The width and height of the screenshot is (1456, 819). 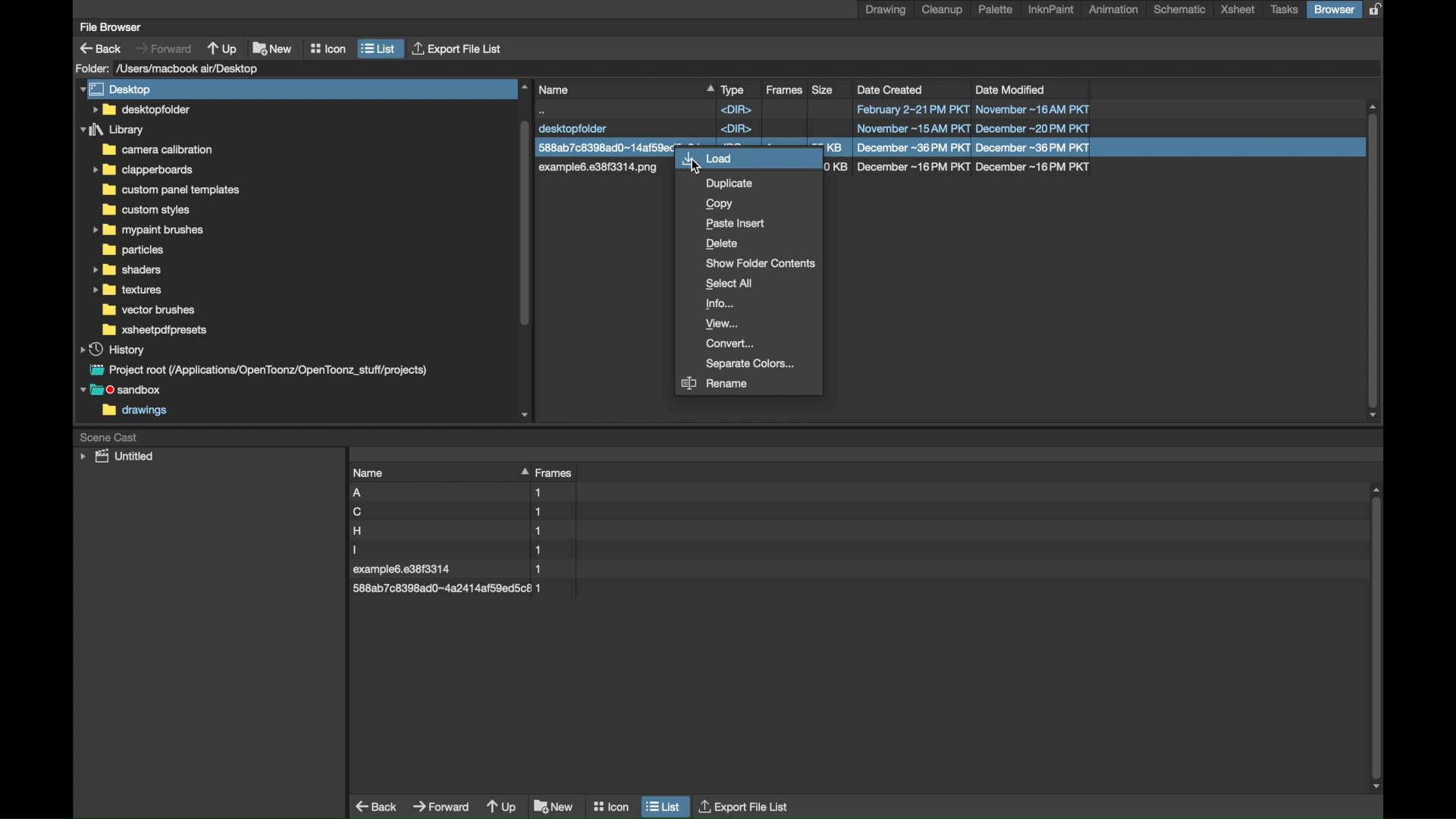 What do you see at coordinates (140, 109) in the screenshot?
I see `folder` at bounding box center [140, 109].